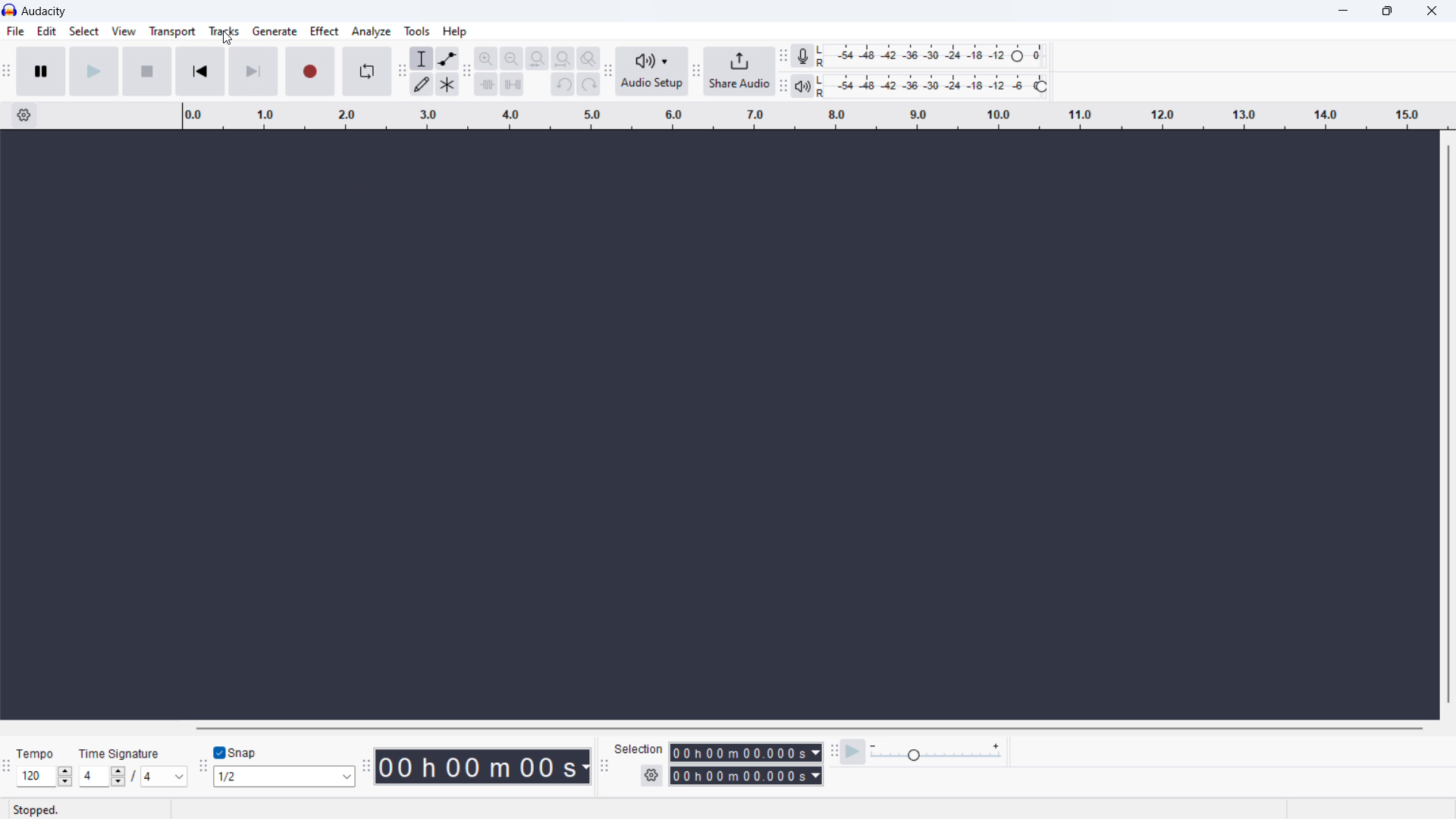  What do you see at coordinates (808, 728) in the screenshot?
I see `horizontal scrollbar` at bounding box center [808, 728].